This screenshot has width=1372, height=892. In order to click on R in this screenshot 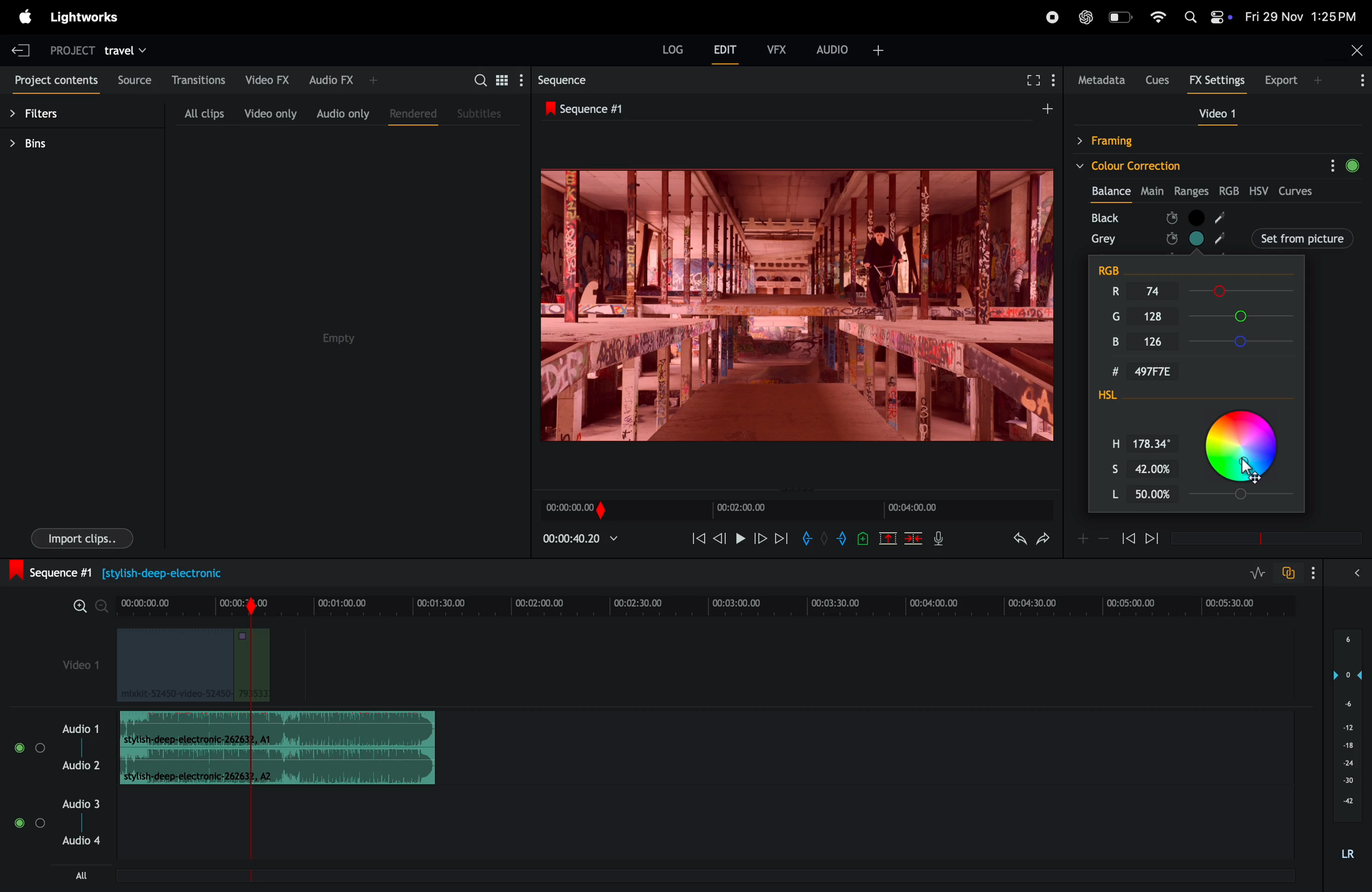, I will do `click(1111, 290)`.